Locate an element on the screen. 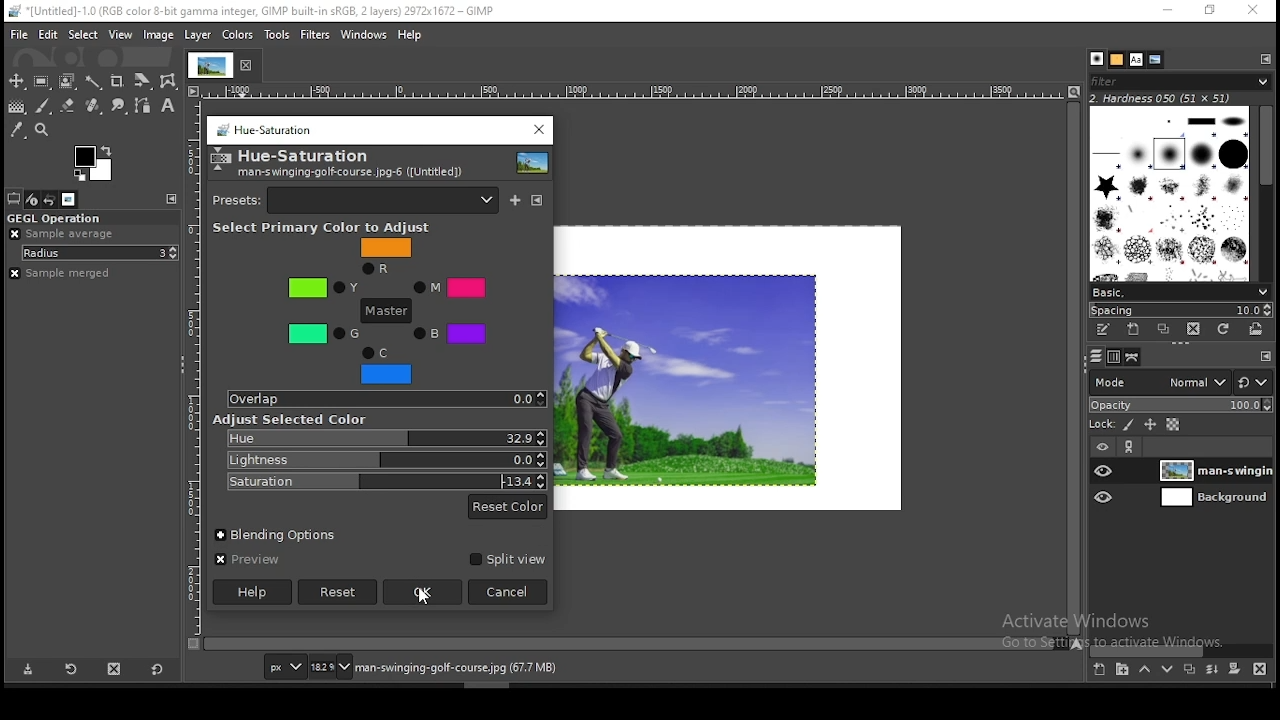  help is located at coordinates (411, 33).